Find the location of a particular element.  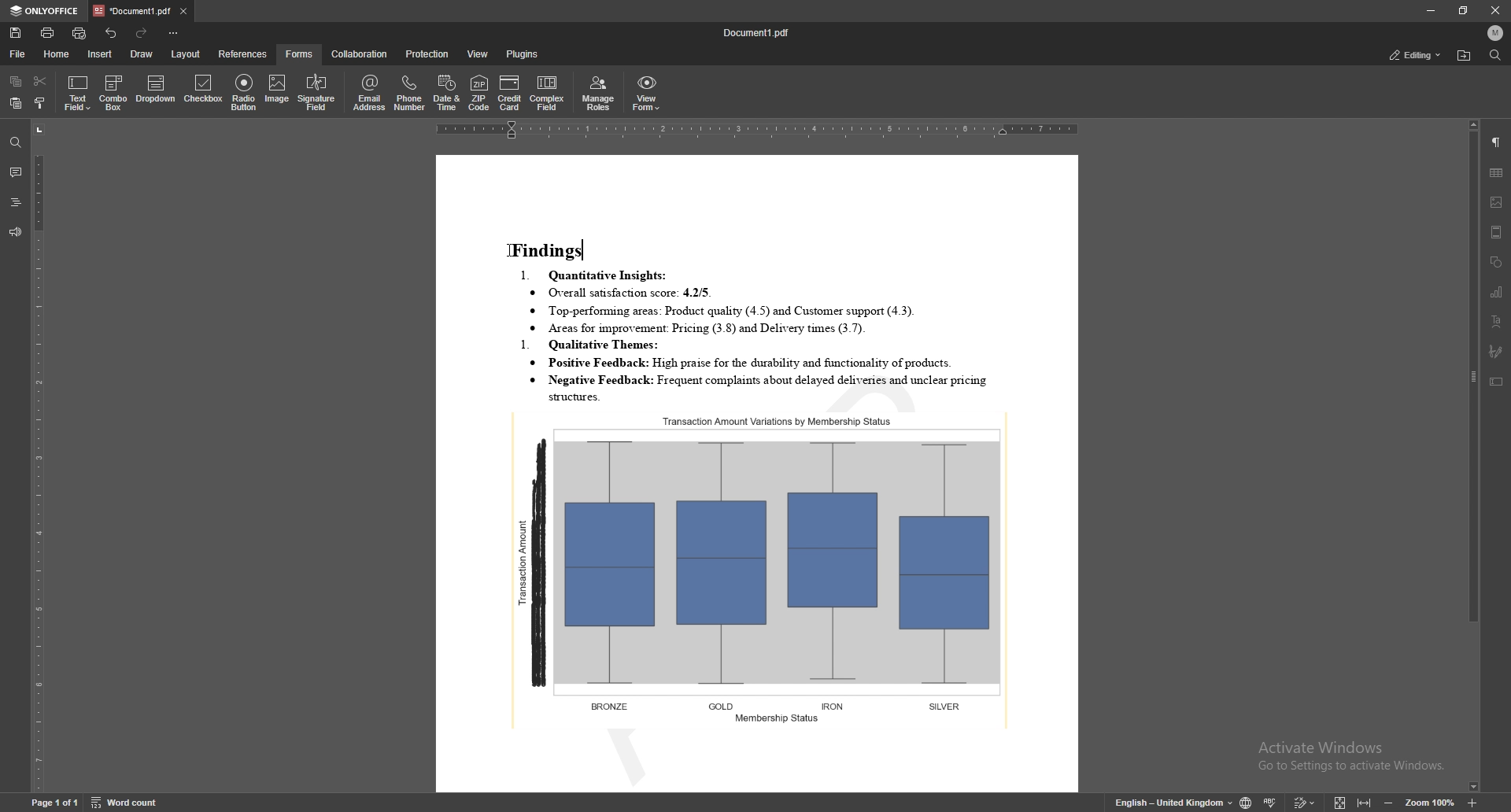

redo is located at coordinates (143, 34).